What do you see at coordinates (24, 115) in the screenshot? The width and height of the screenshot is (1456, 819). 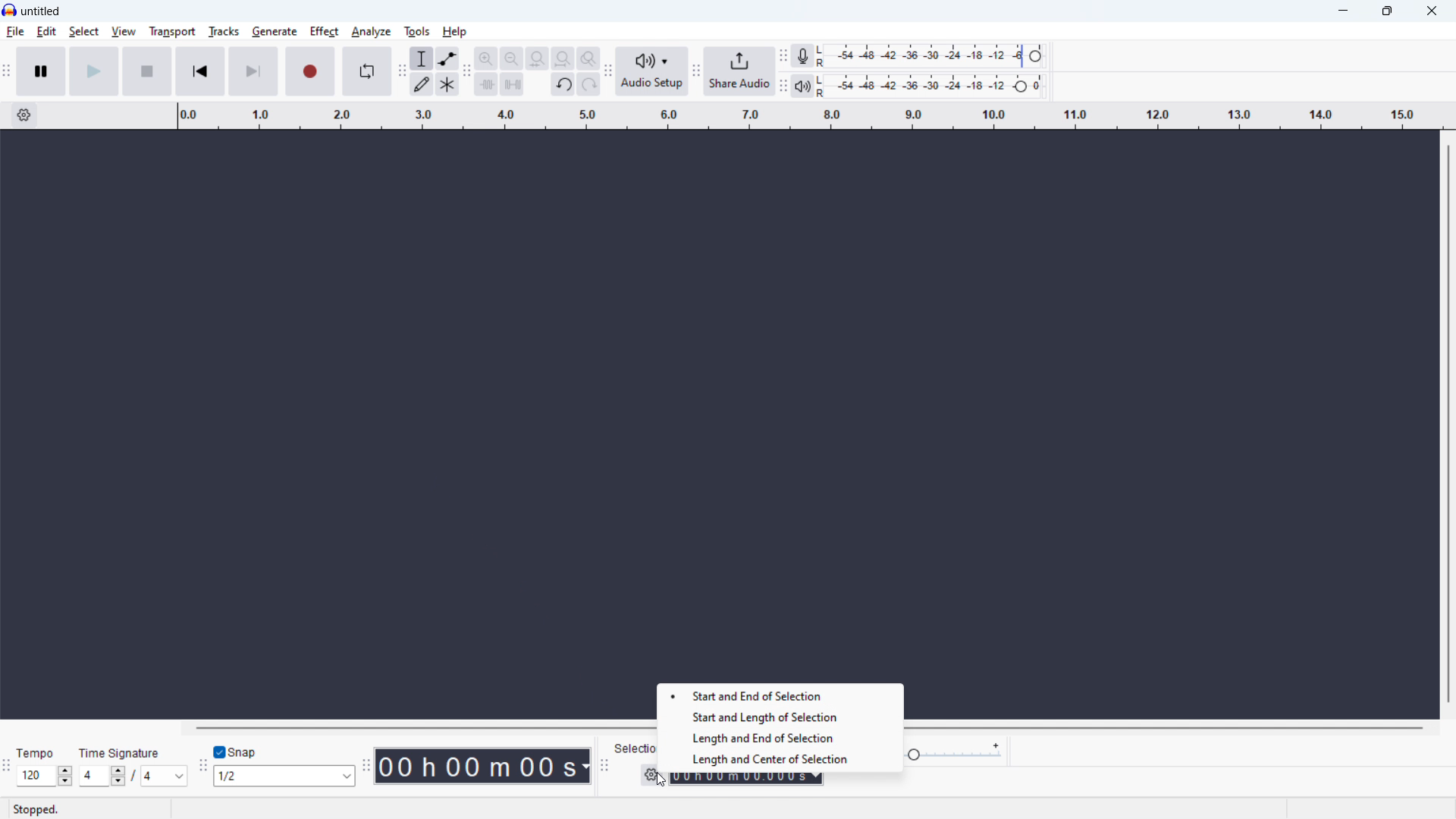 I see `timeline settings` at bounding box center [24, 115].